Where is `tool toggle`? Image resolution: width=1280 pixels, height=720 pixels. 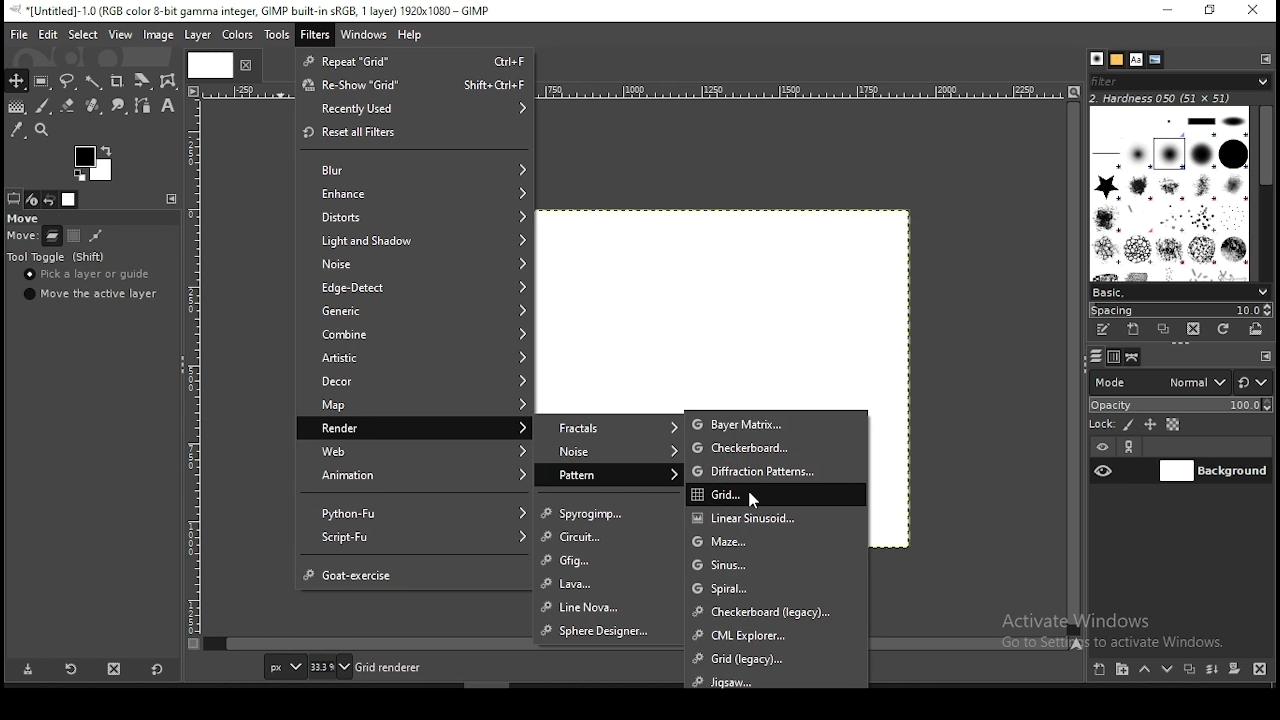
tool toggle is located at coordinates (59, 258).